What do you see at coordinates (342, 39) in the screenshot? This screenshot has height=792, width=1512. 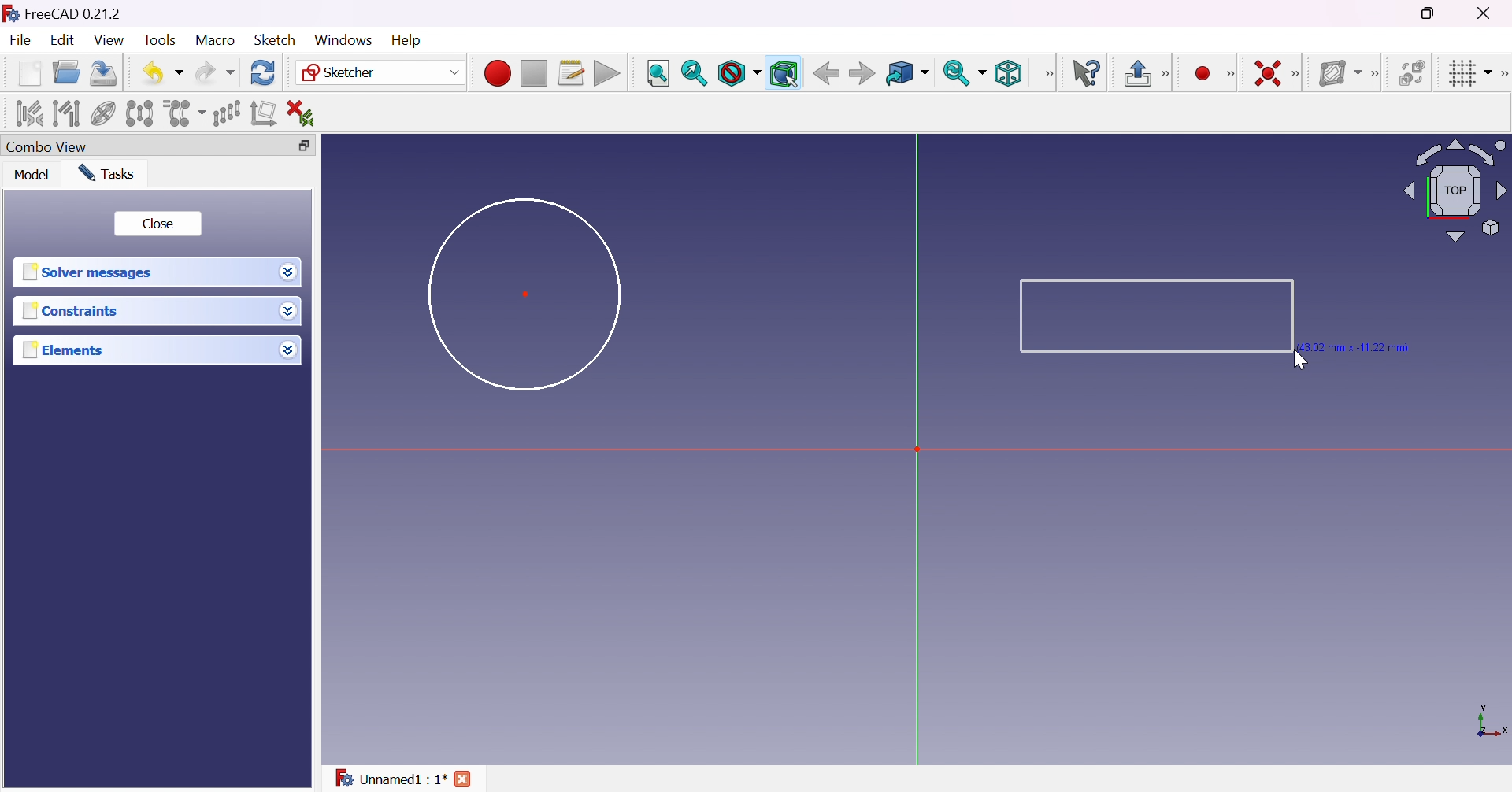 I see `Windows` at bounding box center [342, 39].